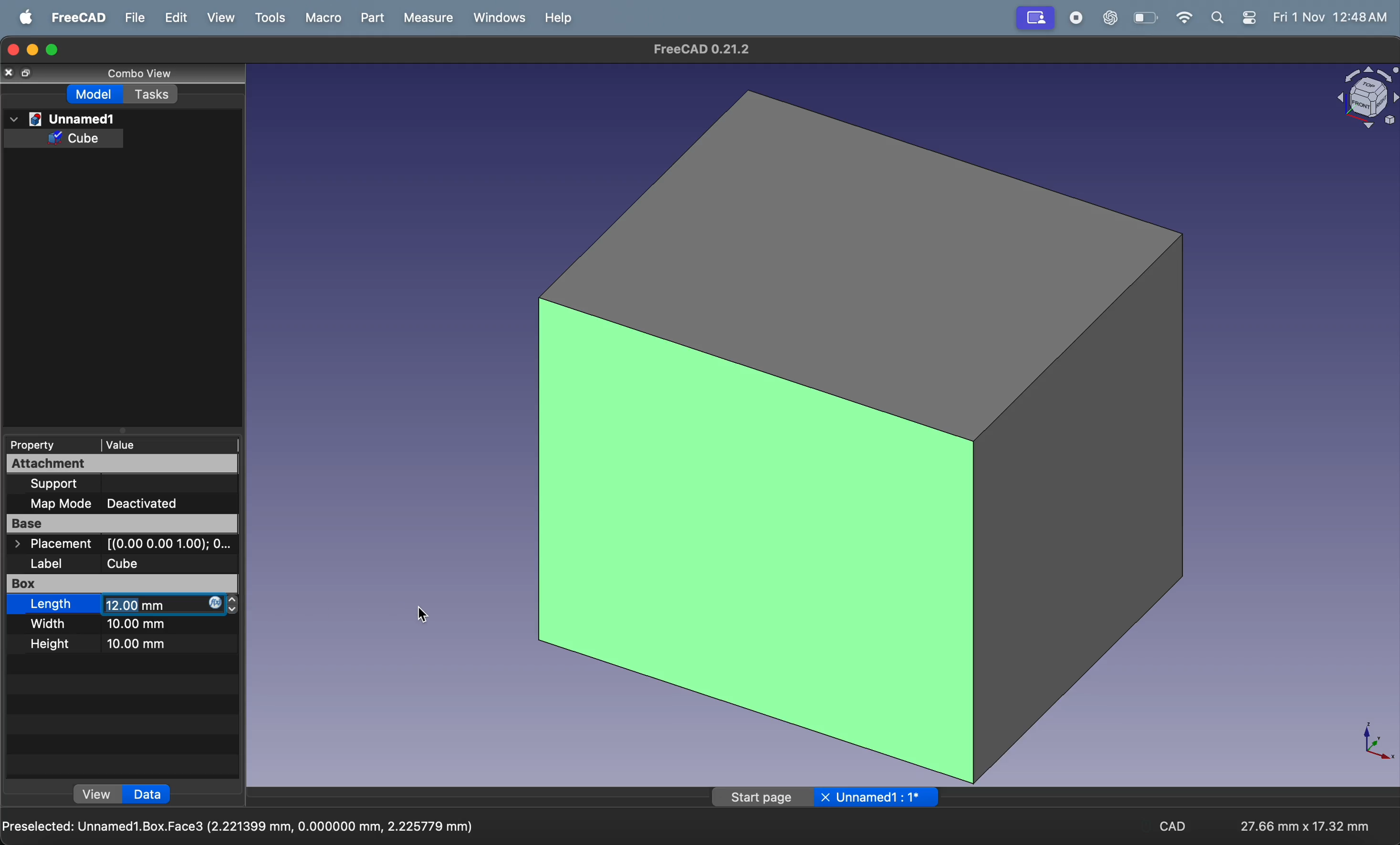  I want to click on start page, so click(760, 798).